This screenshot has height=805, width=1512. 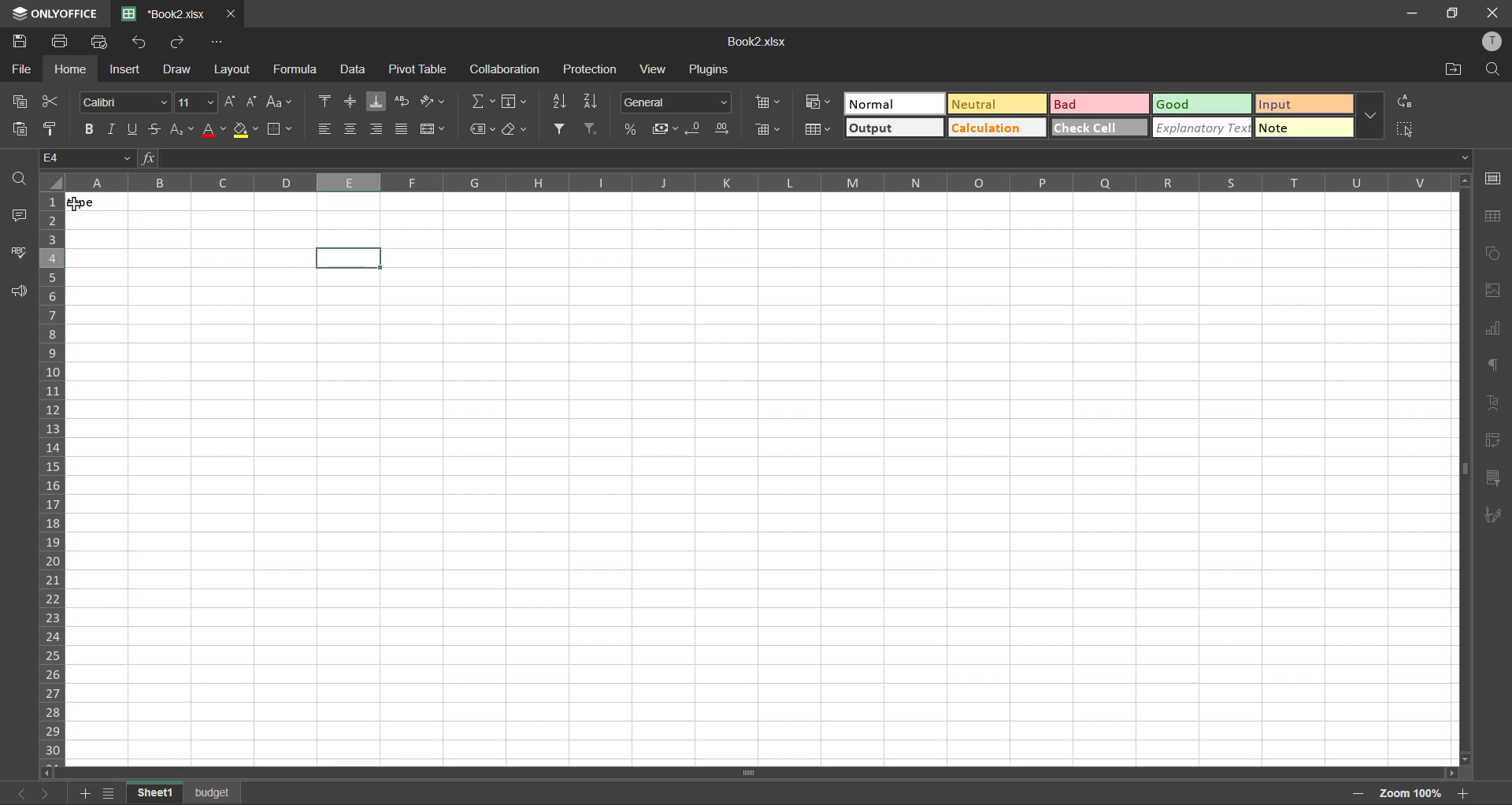 What do you see at coordinates (1466, 793) in the screenshot?
I see `zoom in` at bounding box center [1466, 793].